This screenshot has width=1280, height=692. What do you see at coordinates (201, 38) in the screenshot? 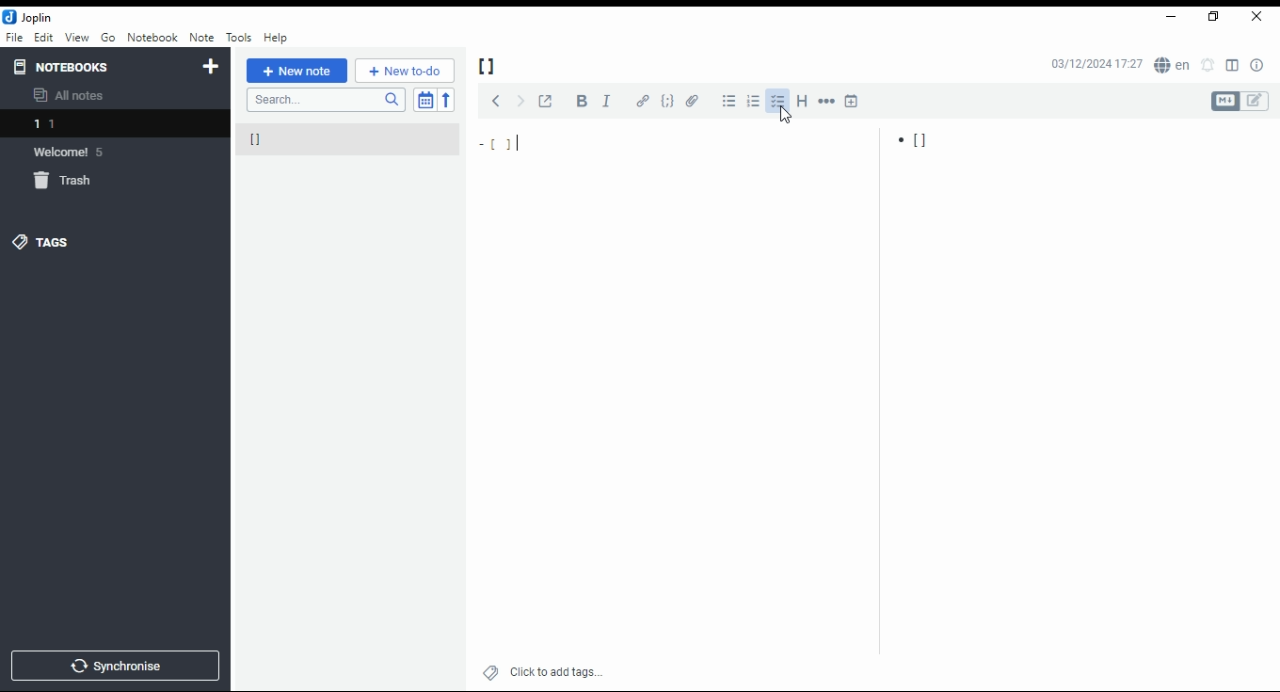
I see `note` at bounding box center [201, 38].